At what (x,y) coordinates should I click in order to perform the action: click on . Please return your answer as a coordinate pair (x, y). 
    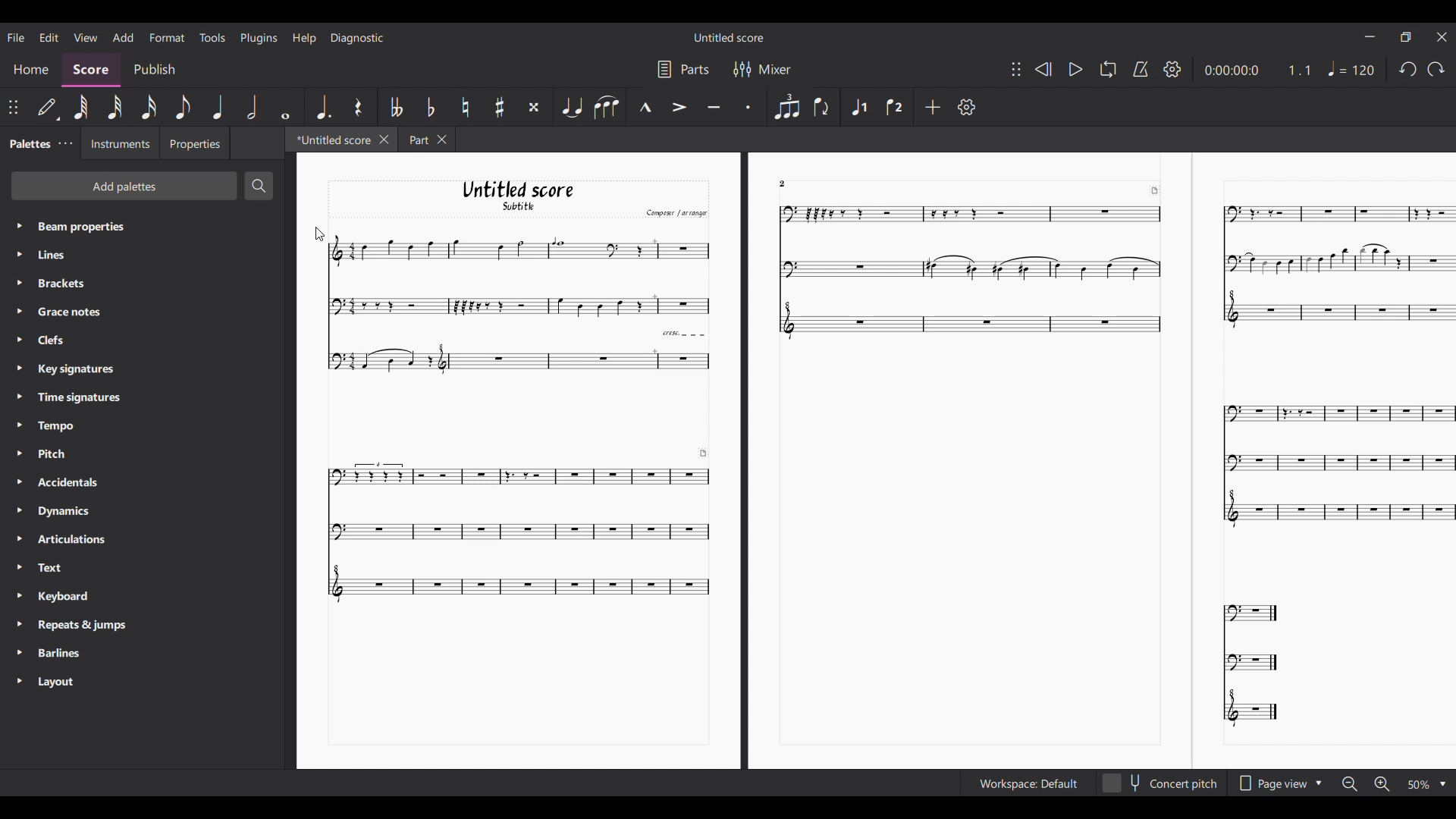
    Looking at the image, I should click on (521, 361).